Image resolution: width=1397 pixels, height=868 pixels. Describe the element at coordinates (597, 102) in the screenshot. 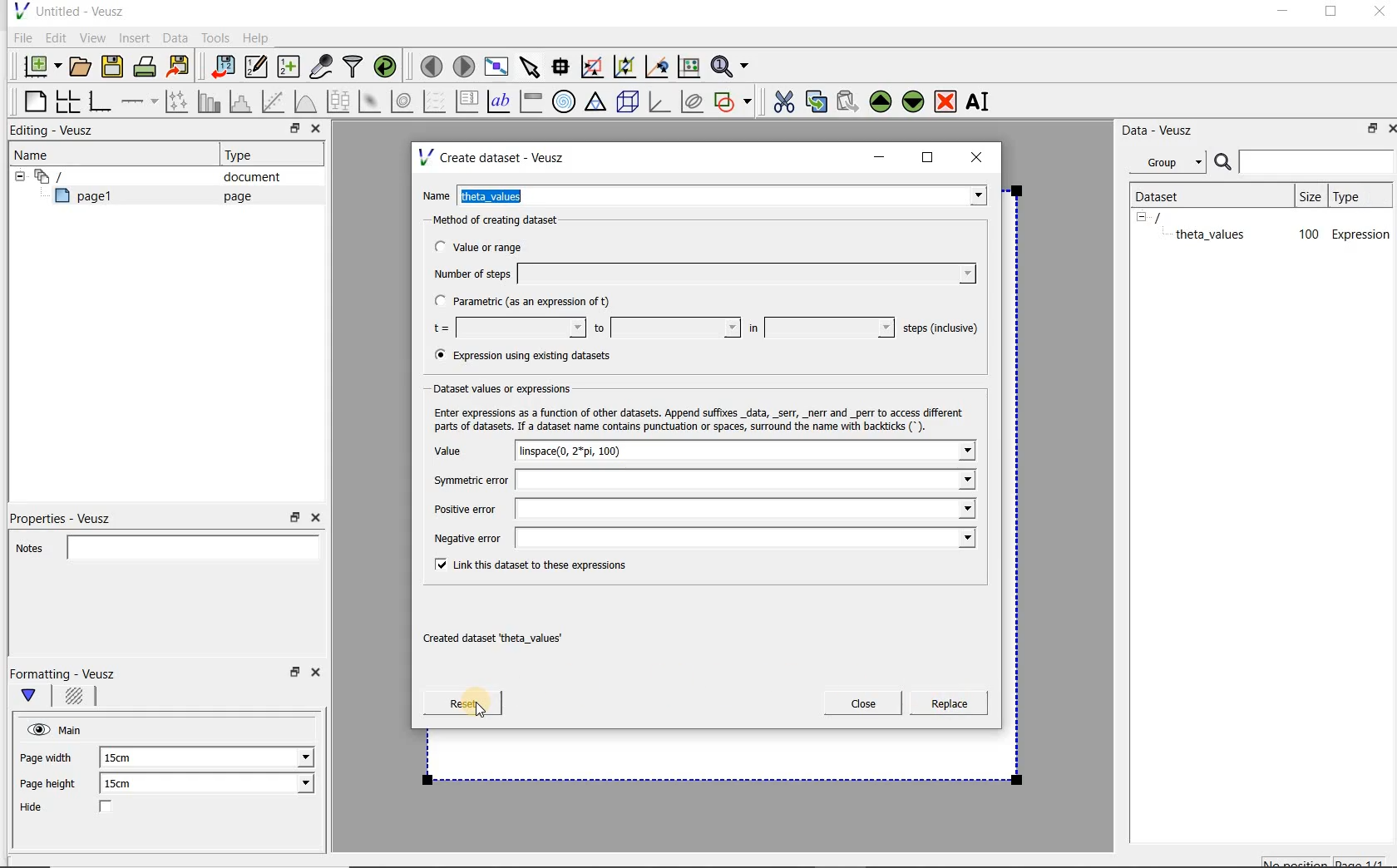

I see `ternary graph` at that location.